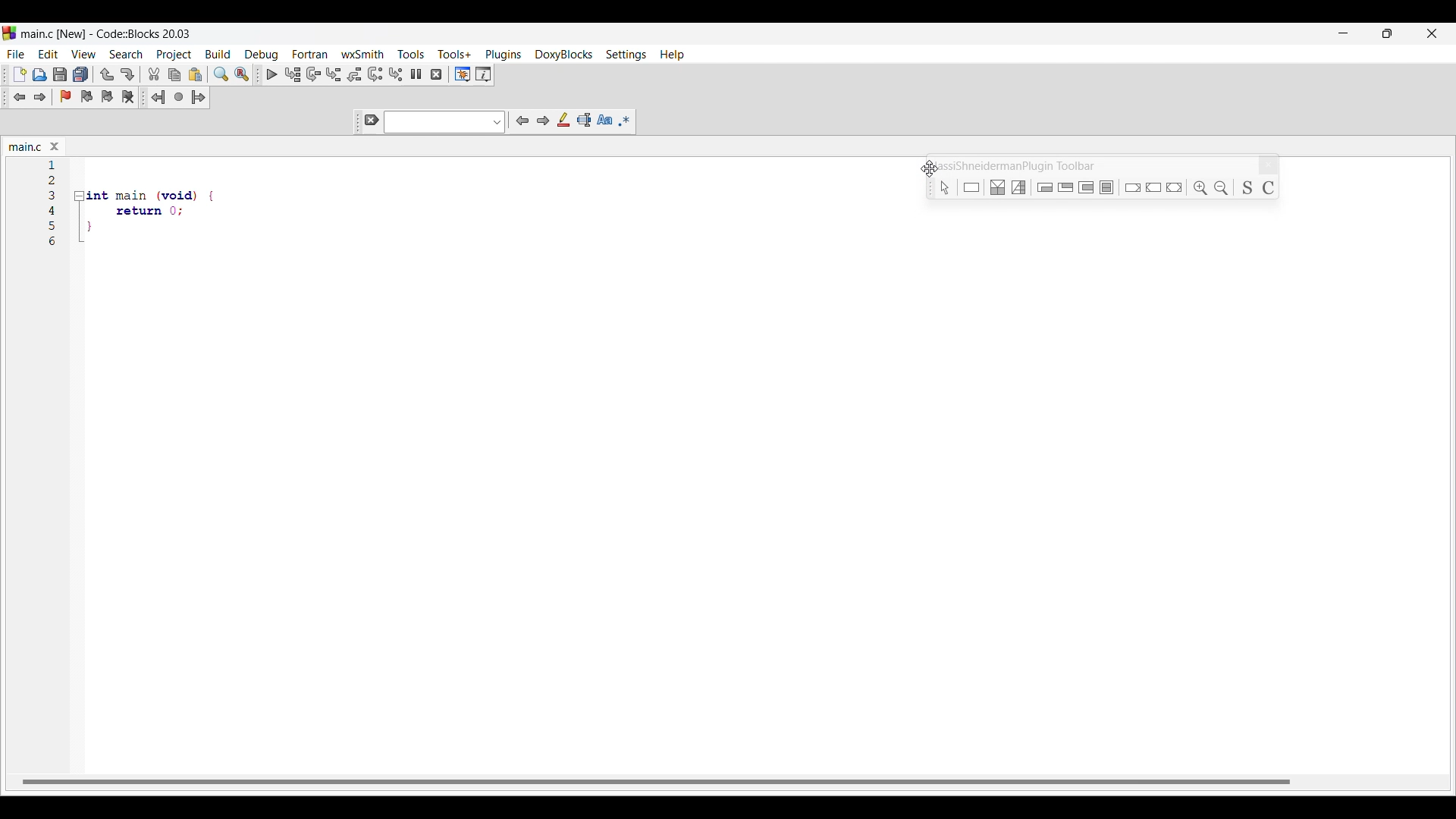  What do you see at coordinates (412, 54) in the screenshot?
I see `Tools menu` at bounding box center [412, 54].